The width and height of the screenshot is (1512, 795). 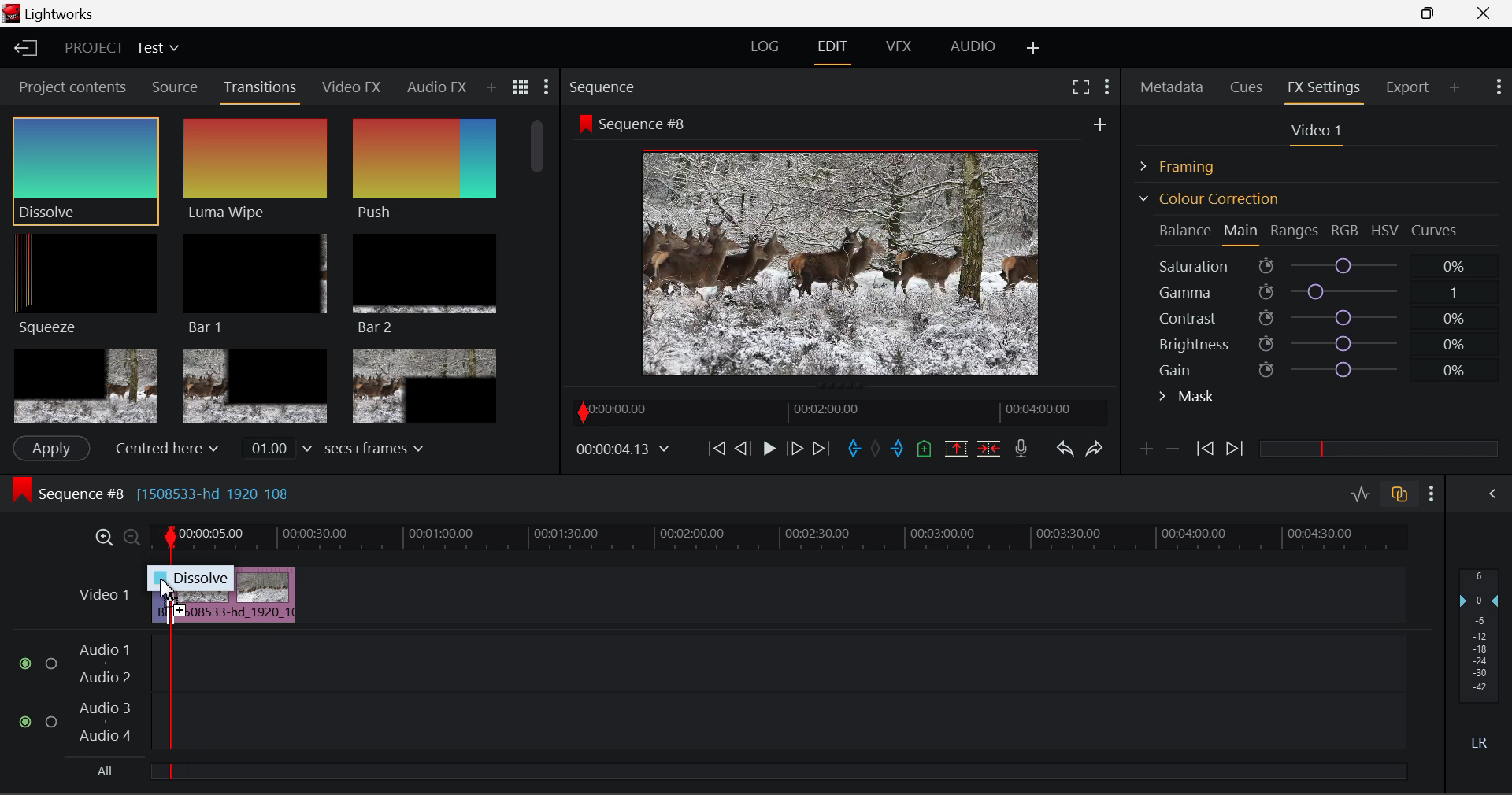 What do you see at coordinates (923, 449) in the screenshot?
I see `Mark Cue` at bounding box center [923, 449].